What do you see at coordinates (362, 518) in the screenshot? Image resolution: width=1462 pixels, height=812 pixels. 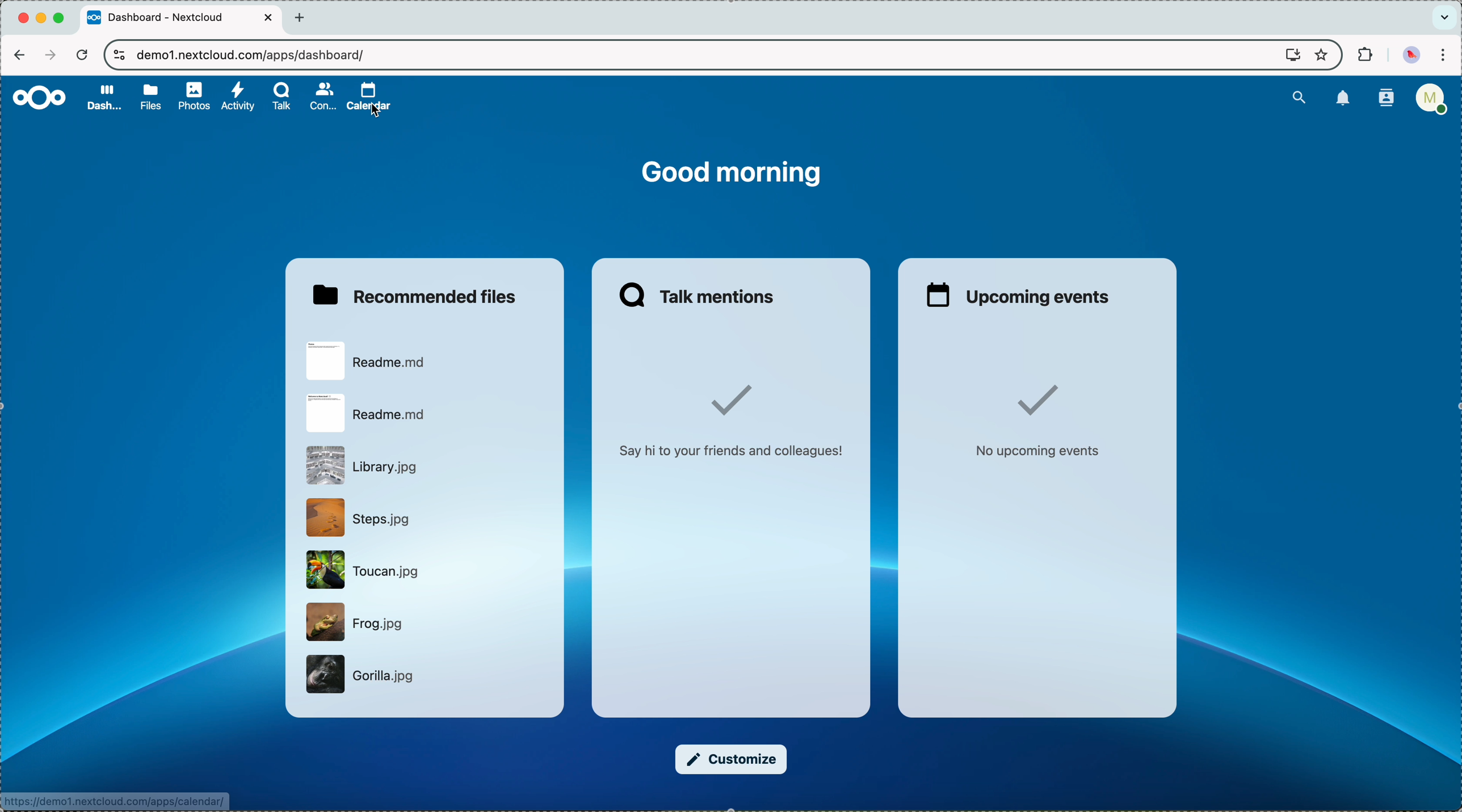 I see `file` at bounding box center [362, 518].